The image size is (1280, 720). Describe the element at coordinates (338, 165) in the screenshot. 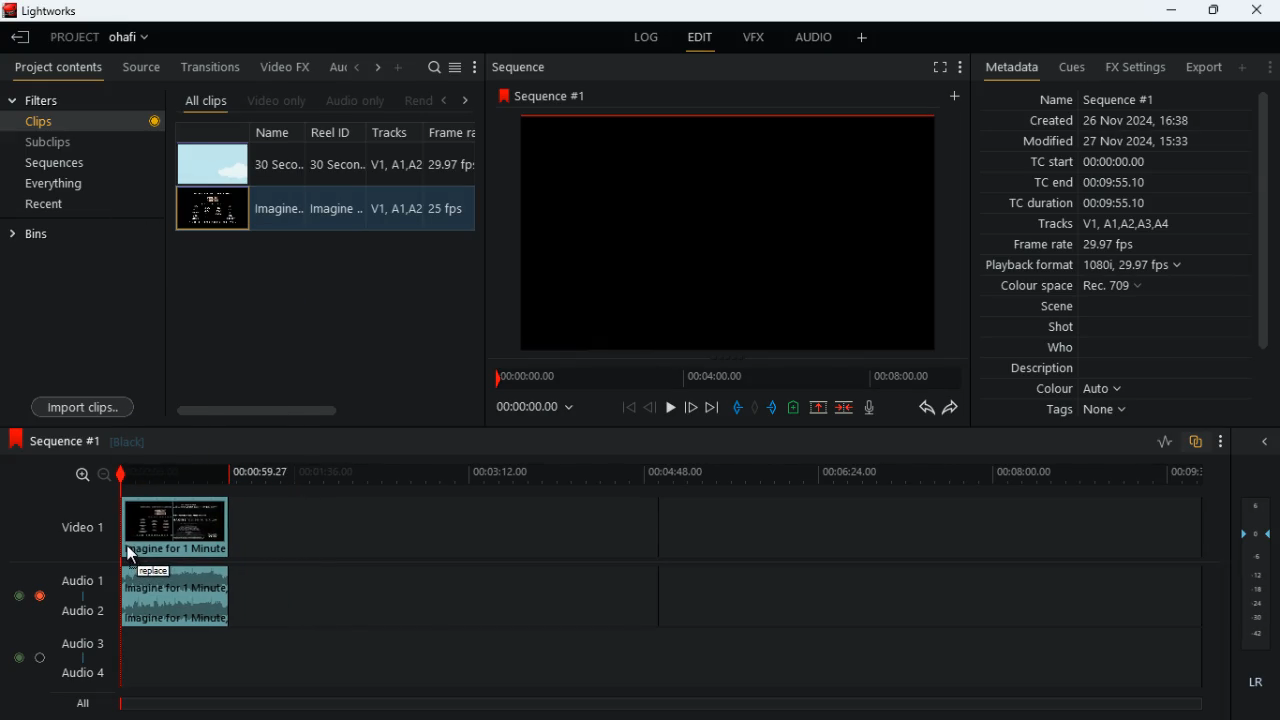

I see `Reel ID` at that location.